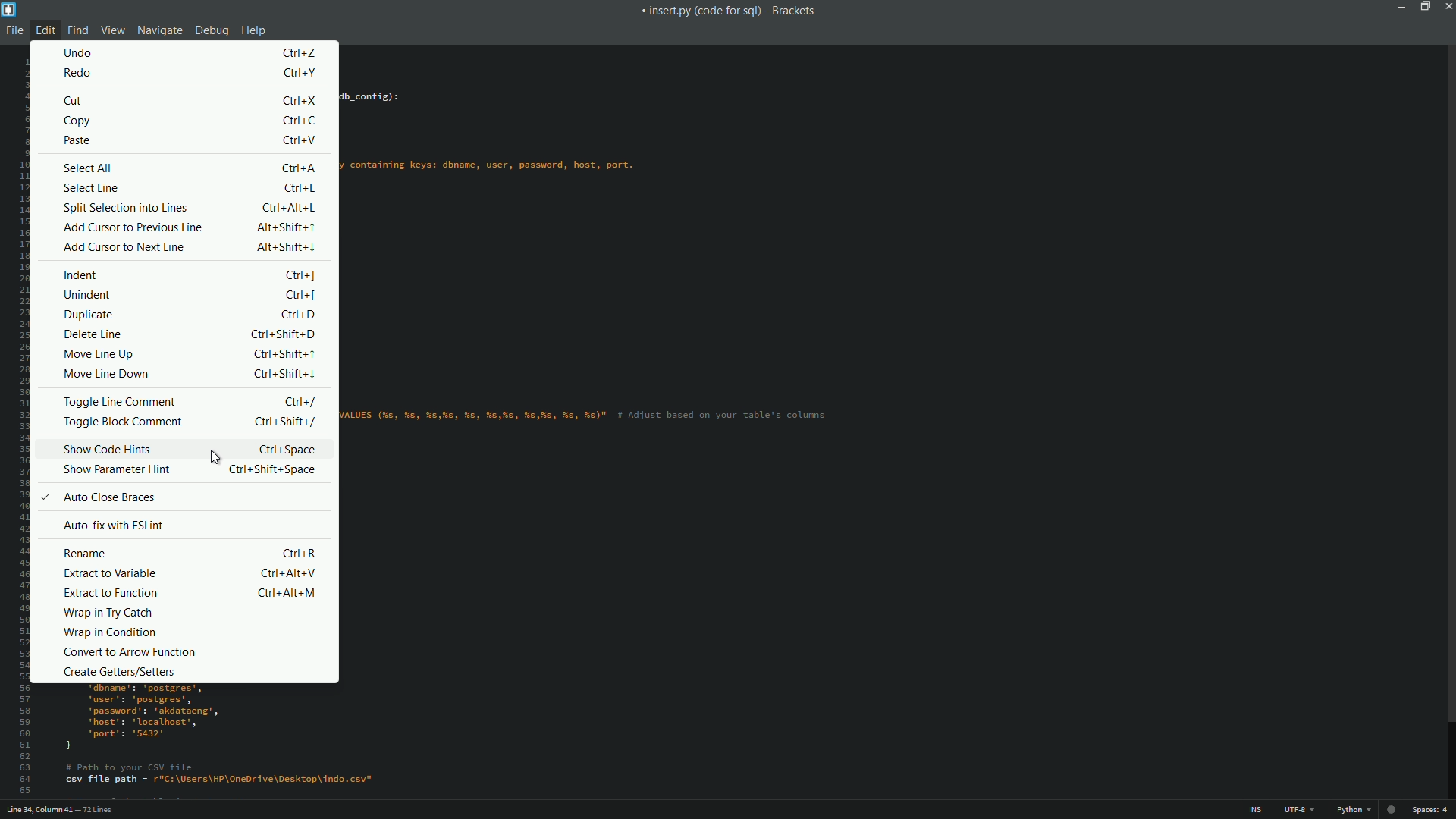 This screenshot has width=1456, height=819. Describe the element at coordinates (107, 593) in the screenshot. I see `extract to function` at that location.